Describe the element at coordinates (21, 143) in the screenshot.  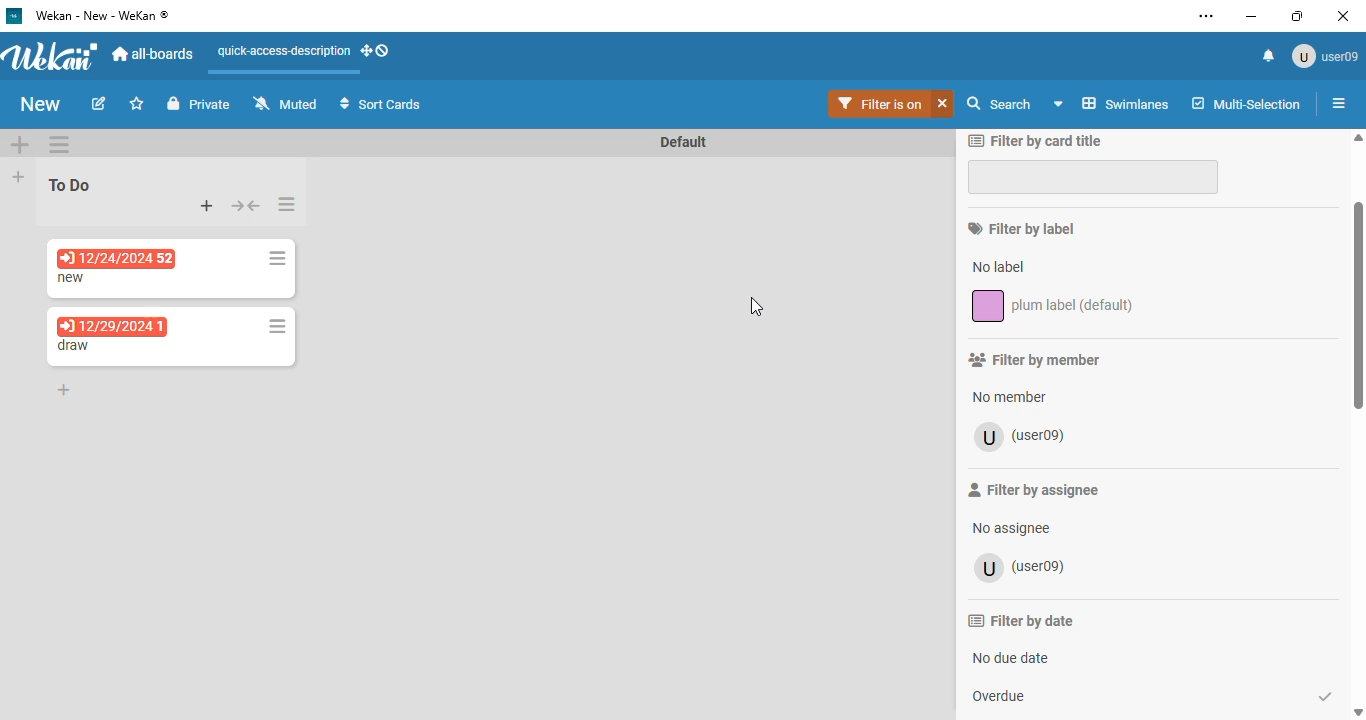
I see `add swimlane` at that location.